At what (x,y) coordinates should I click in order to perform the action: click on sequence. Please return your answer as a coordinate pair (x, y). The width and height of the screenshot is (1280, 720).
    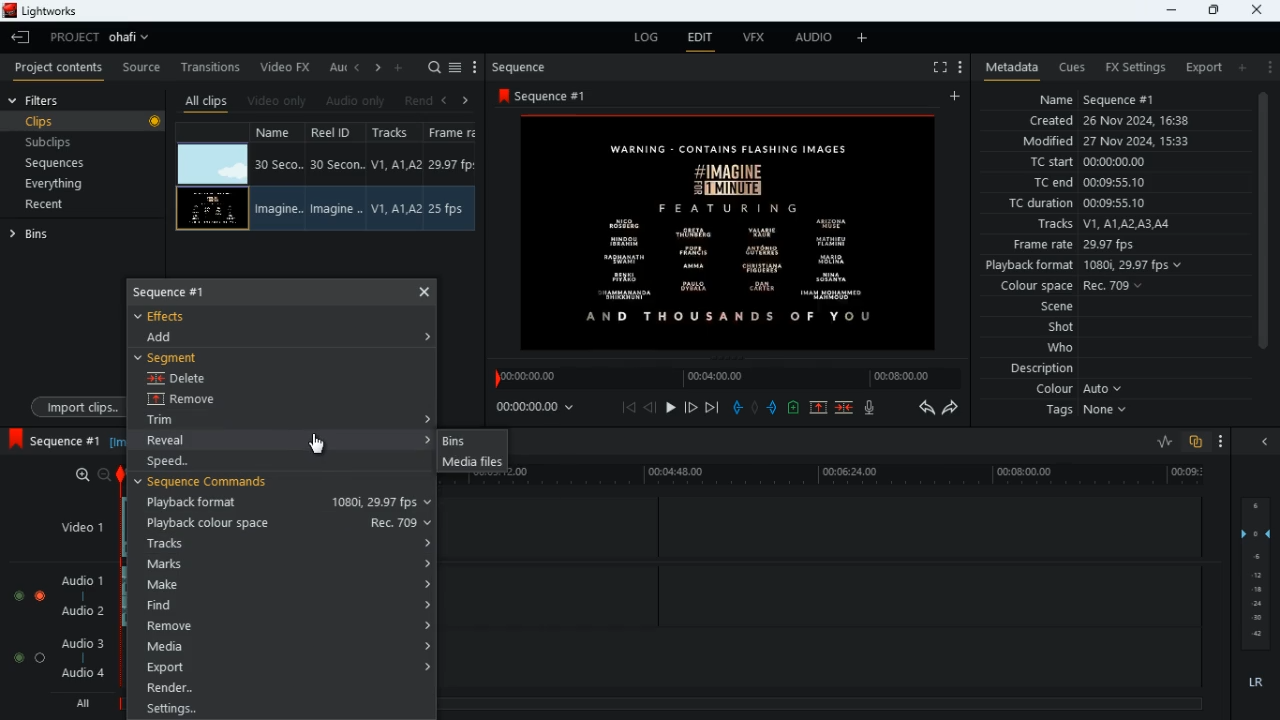
    Looking at the image, I should click on (55, 438).